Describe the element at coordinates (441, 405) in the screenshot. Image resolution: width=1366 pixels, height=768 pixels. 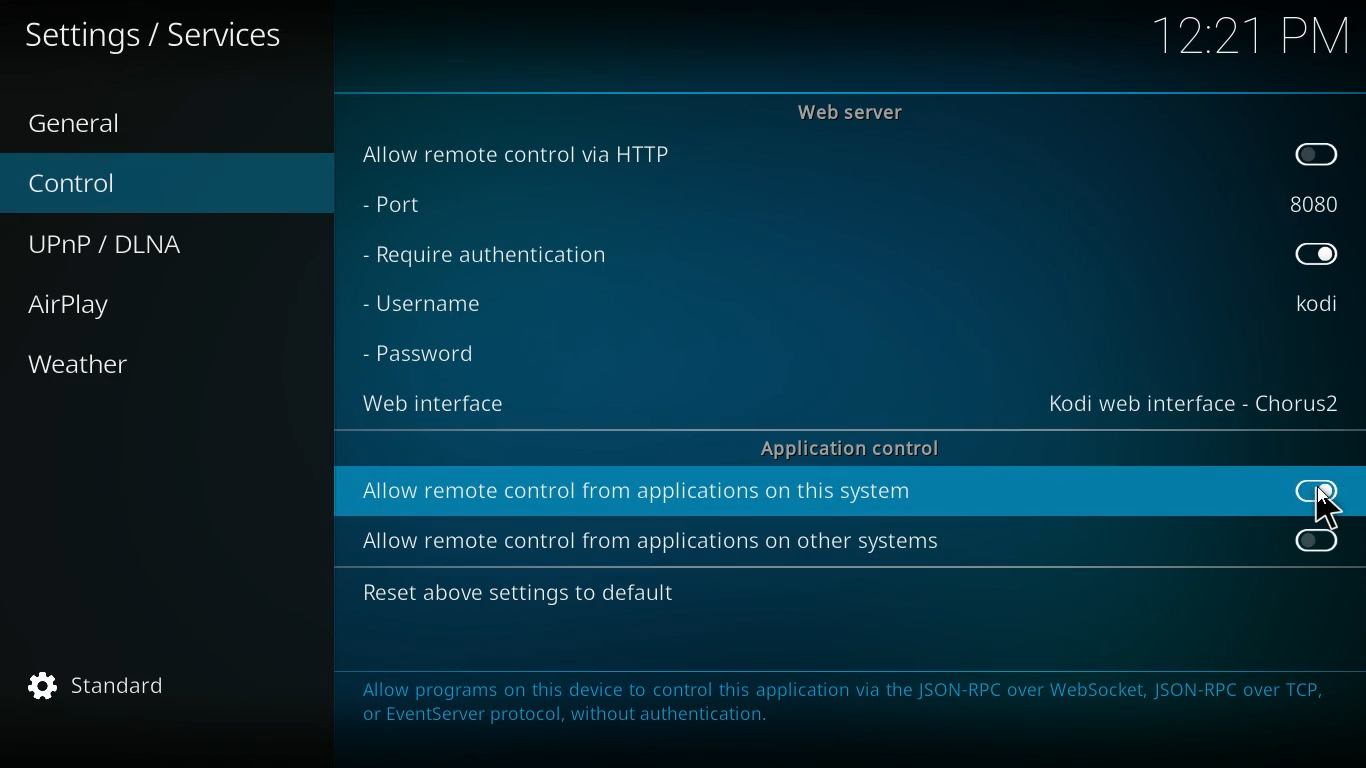
I see `web interface` at that location.